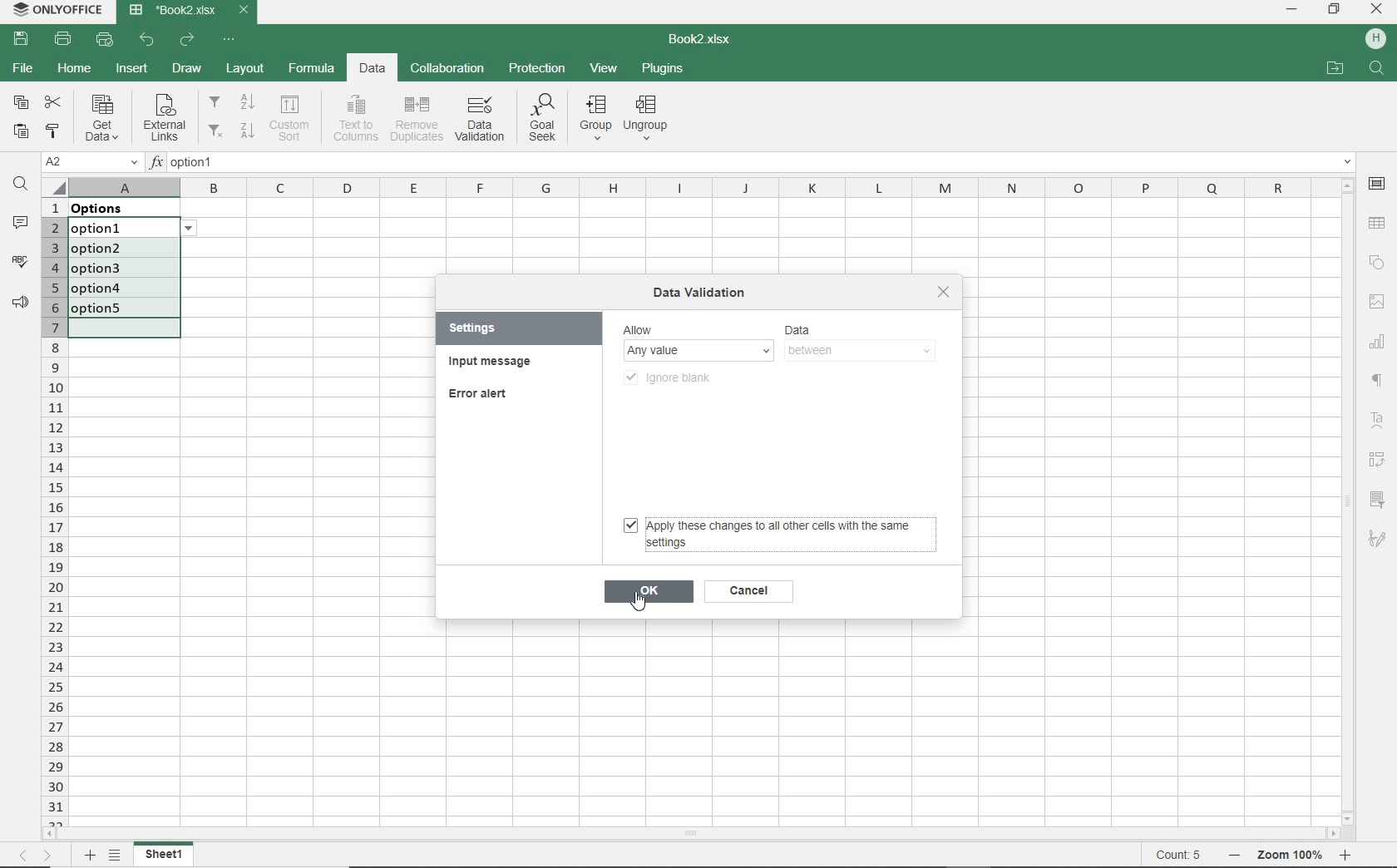 The height and width of the screenshot is (868, 1397). Describe the element at coordinates (374, 70) in the screenshot. I see `DATA` at that location.